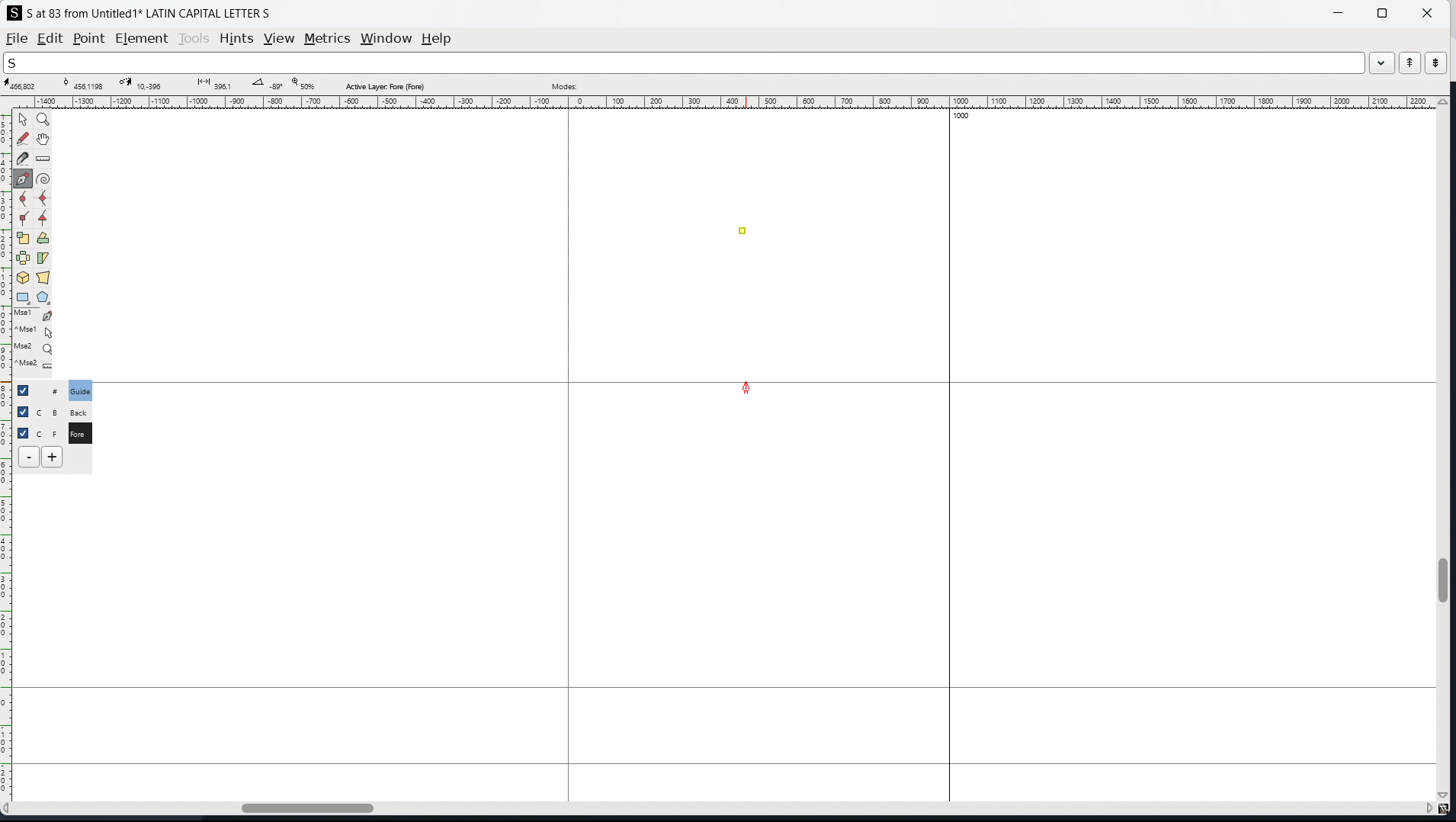  I want to click on close, so click(1426, 12).